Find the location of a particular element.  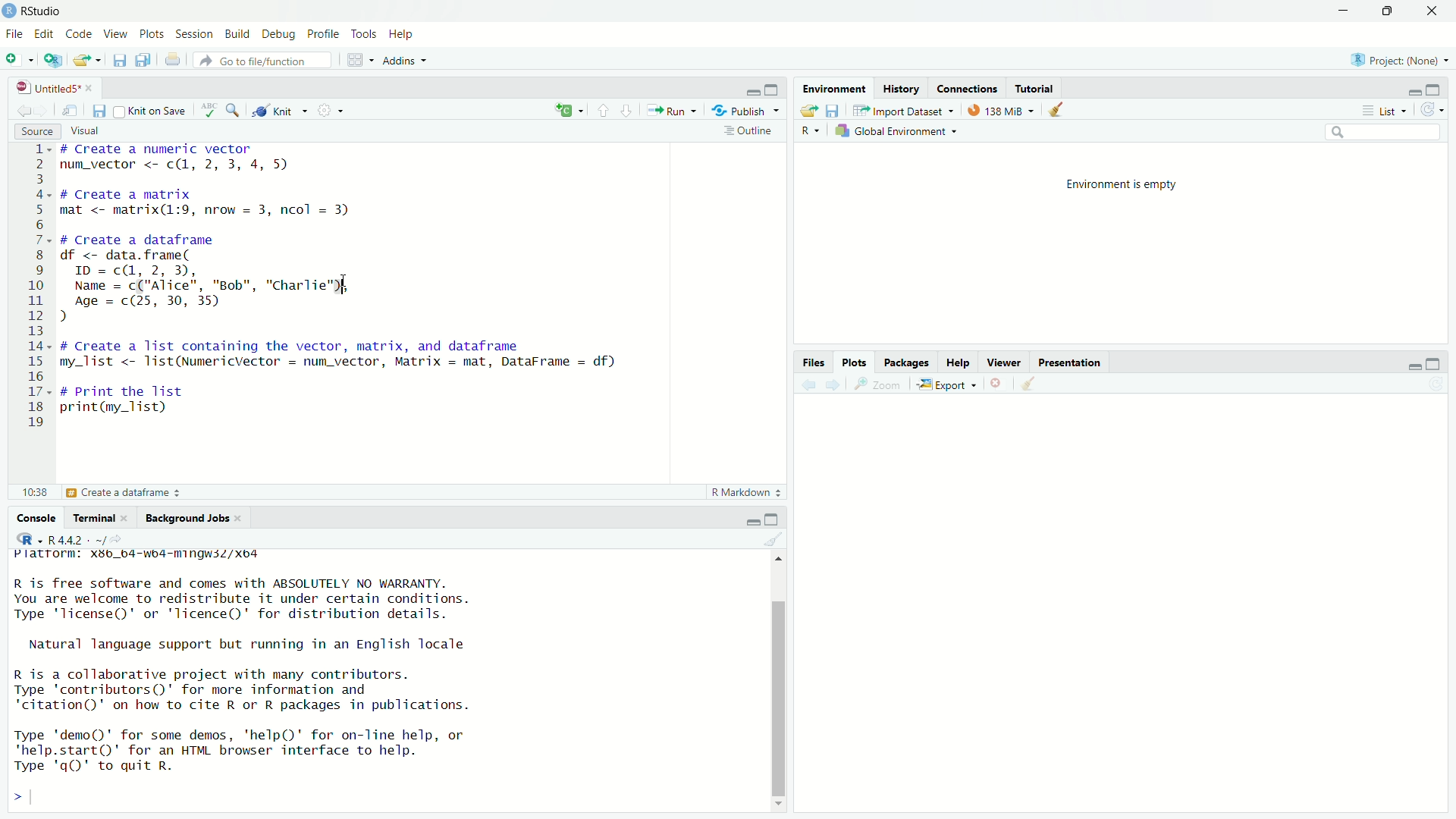

abc is located at coordinates (212, 109).